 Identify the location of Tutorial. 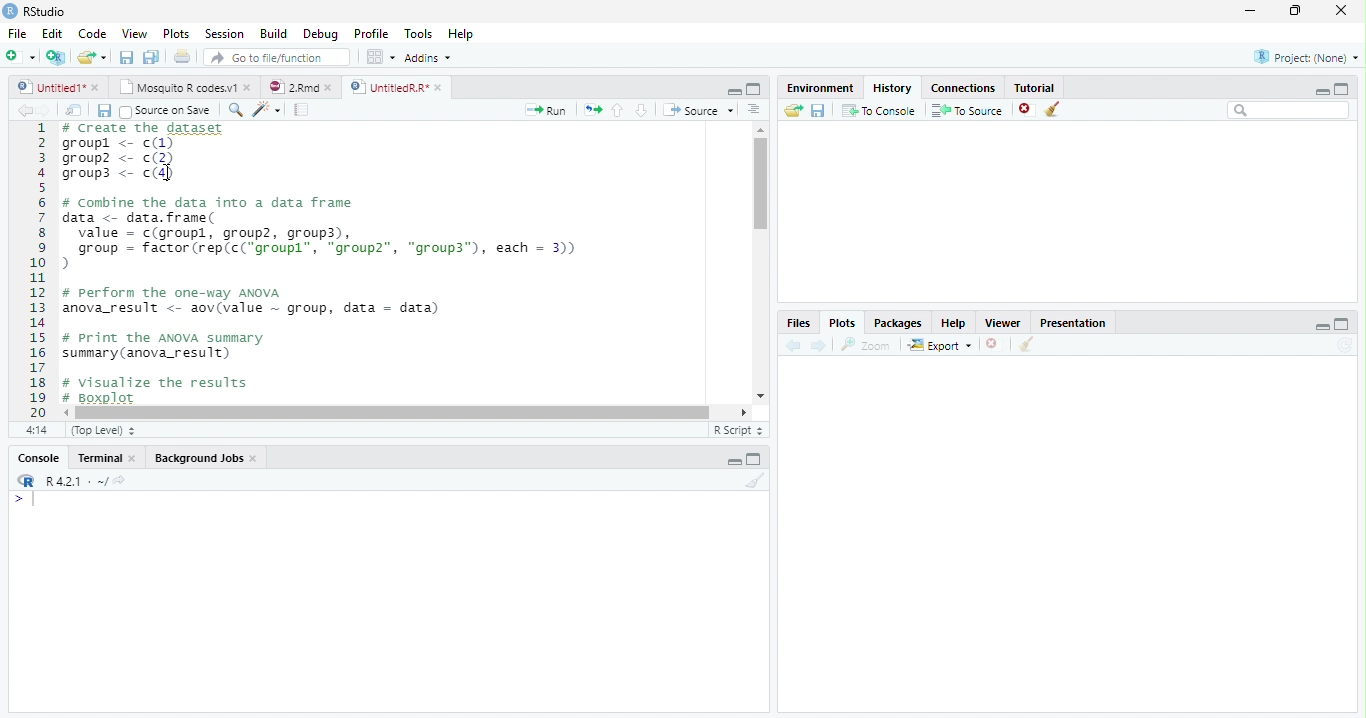
(1036, 86).